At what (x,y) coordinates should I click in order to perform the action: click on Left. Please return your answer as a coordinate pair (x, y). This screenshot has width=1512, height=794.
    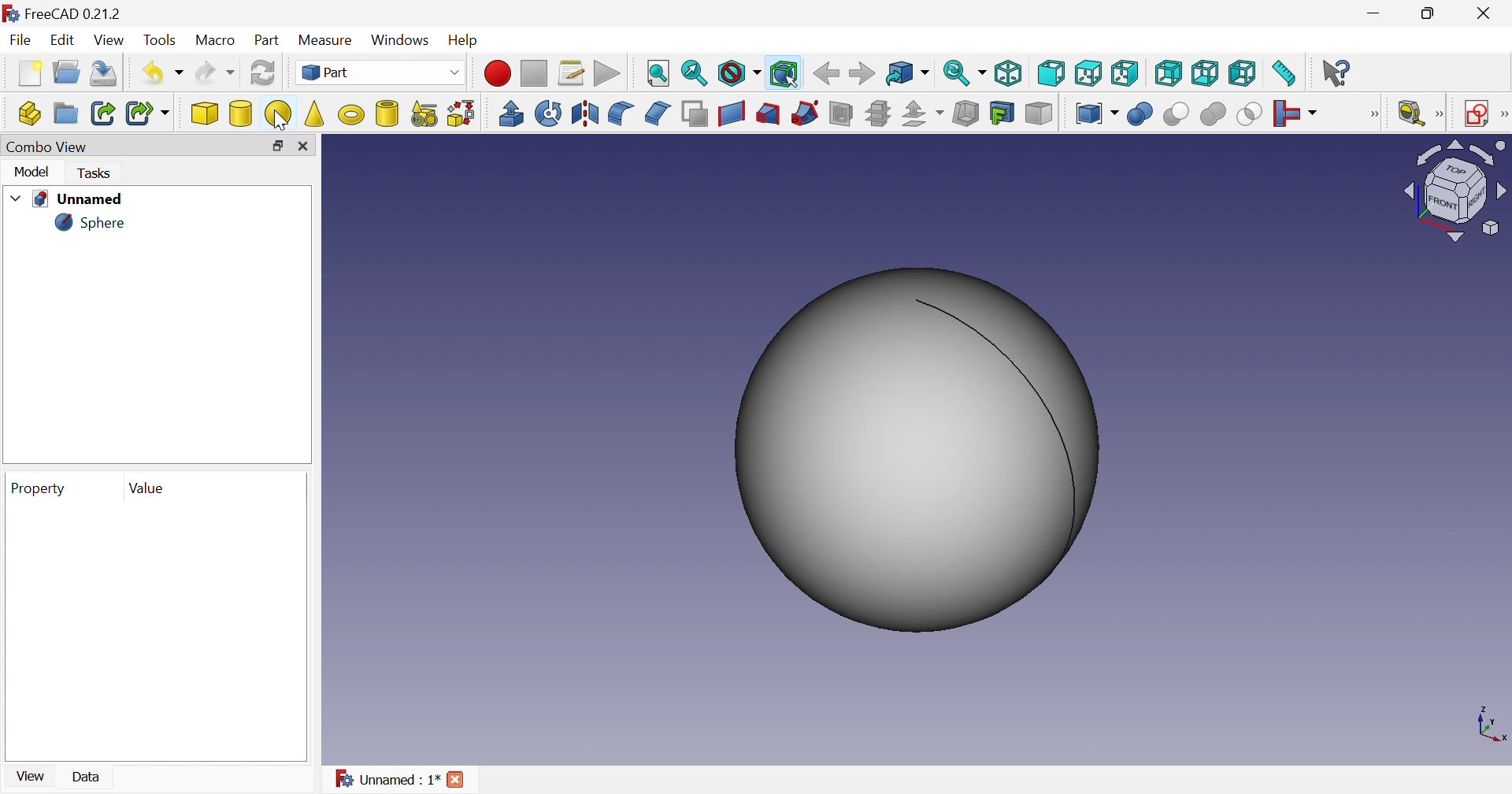
    Looking at the image, I should click on (1243, 72).